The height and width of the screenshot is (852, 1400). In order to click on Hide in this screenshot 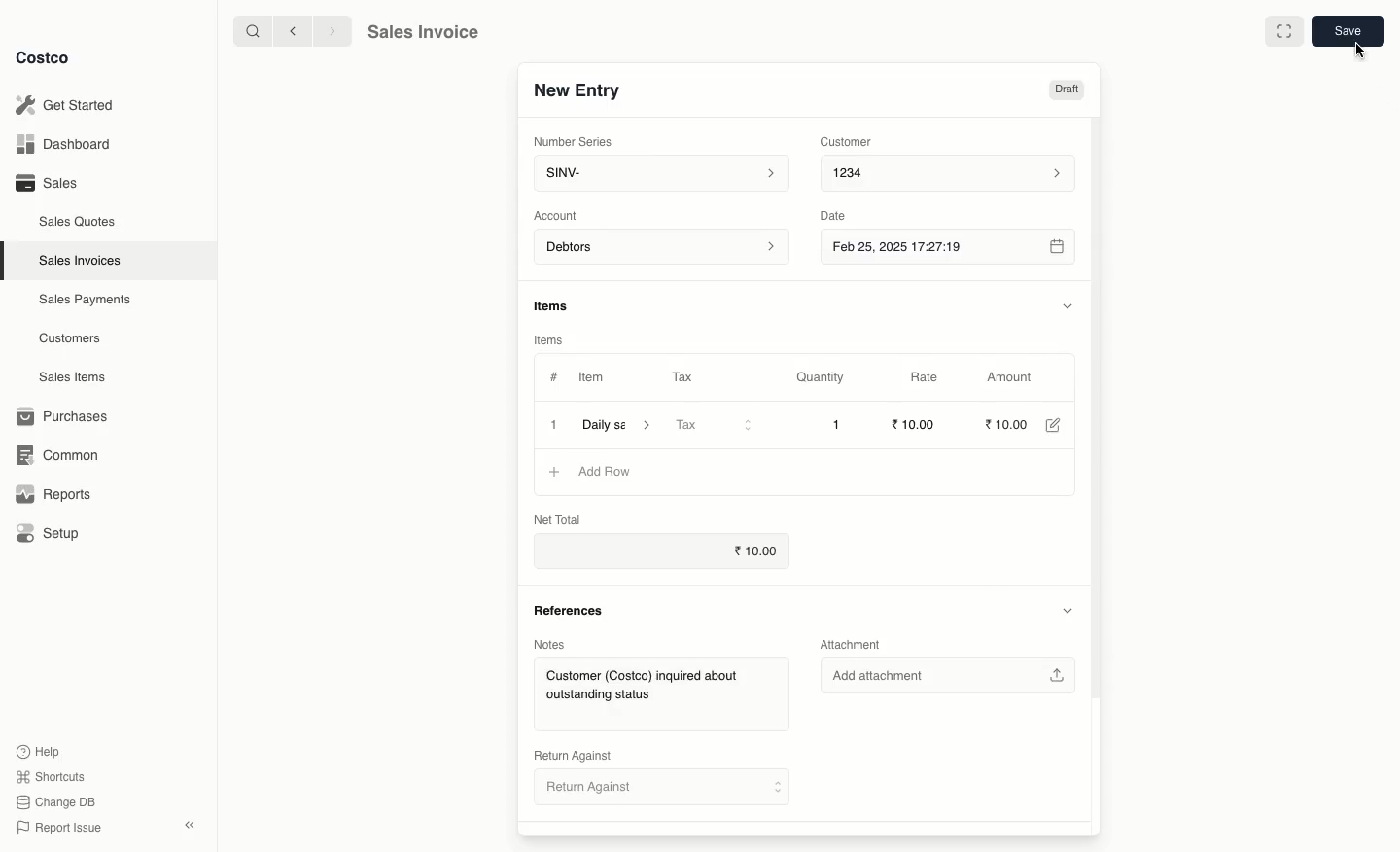, I will do `click(1069, 305)`.